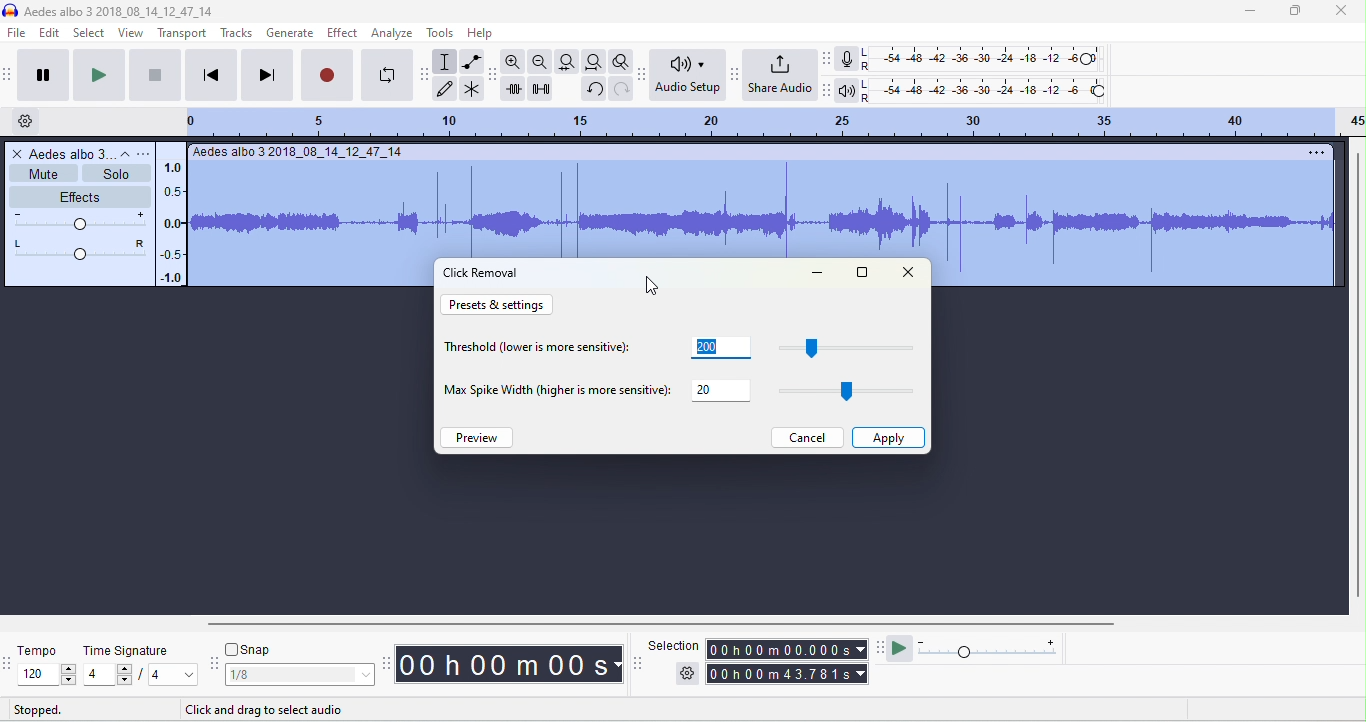  I want to click on skip to end, so click(266, 75).